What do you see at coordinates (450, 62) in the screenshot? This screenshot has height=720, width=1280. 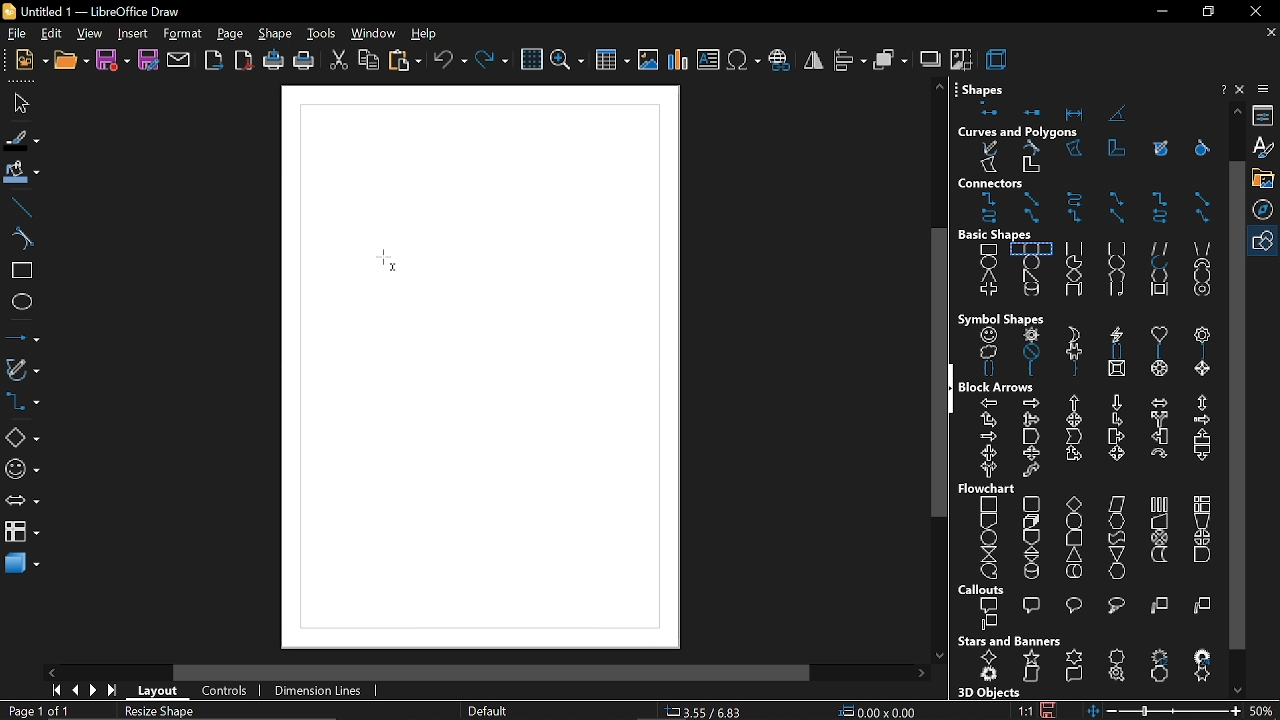 I see `undo` at bounding box center [450, 62].